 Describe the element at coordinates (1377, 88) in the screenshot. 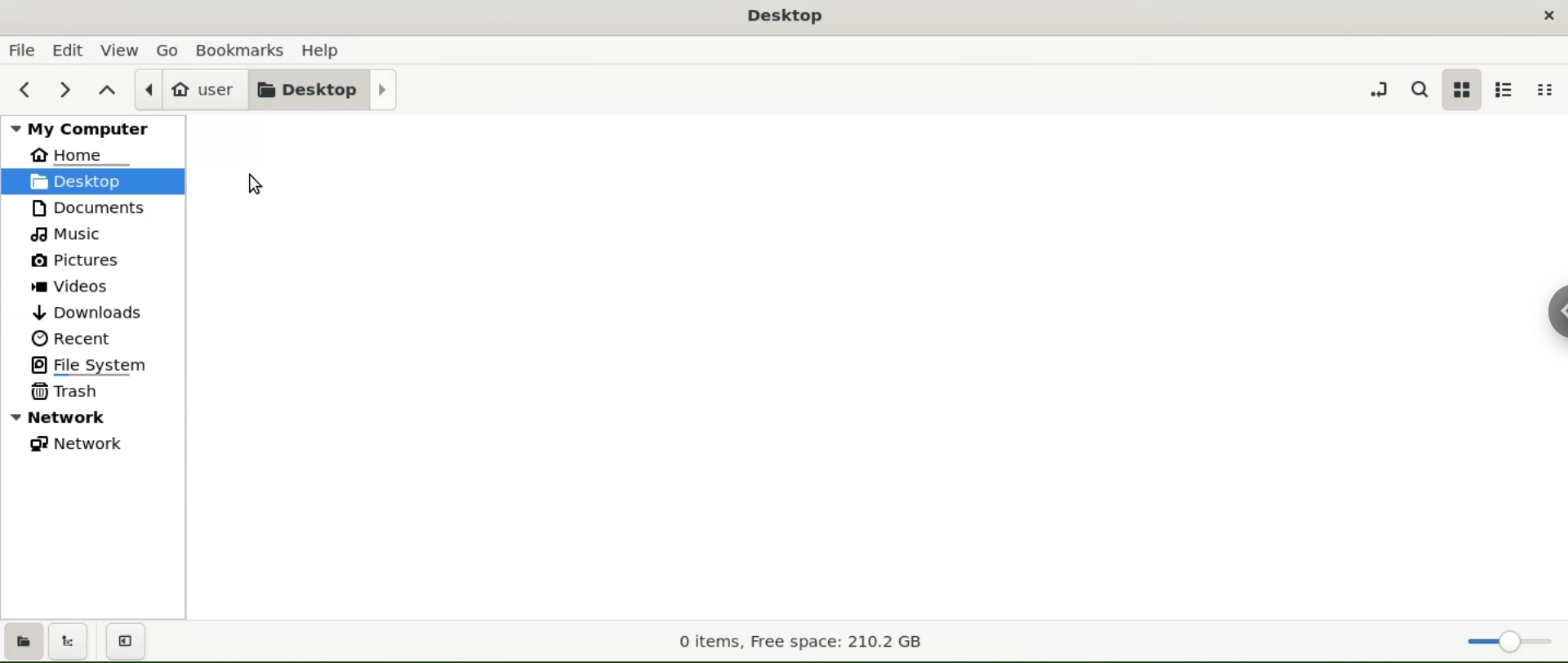

I see `toggle location entry` at that location.